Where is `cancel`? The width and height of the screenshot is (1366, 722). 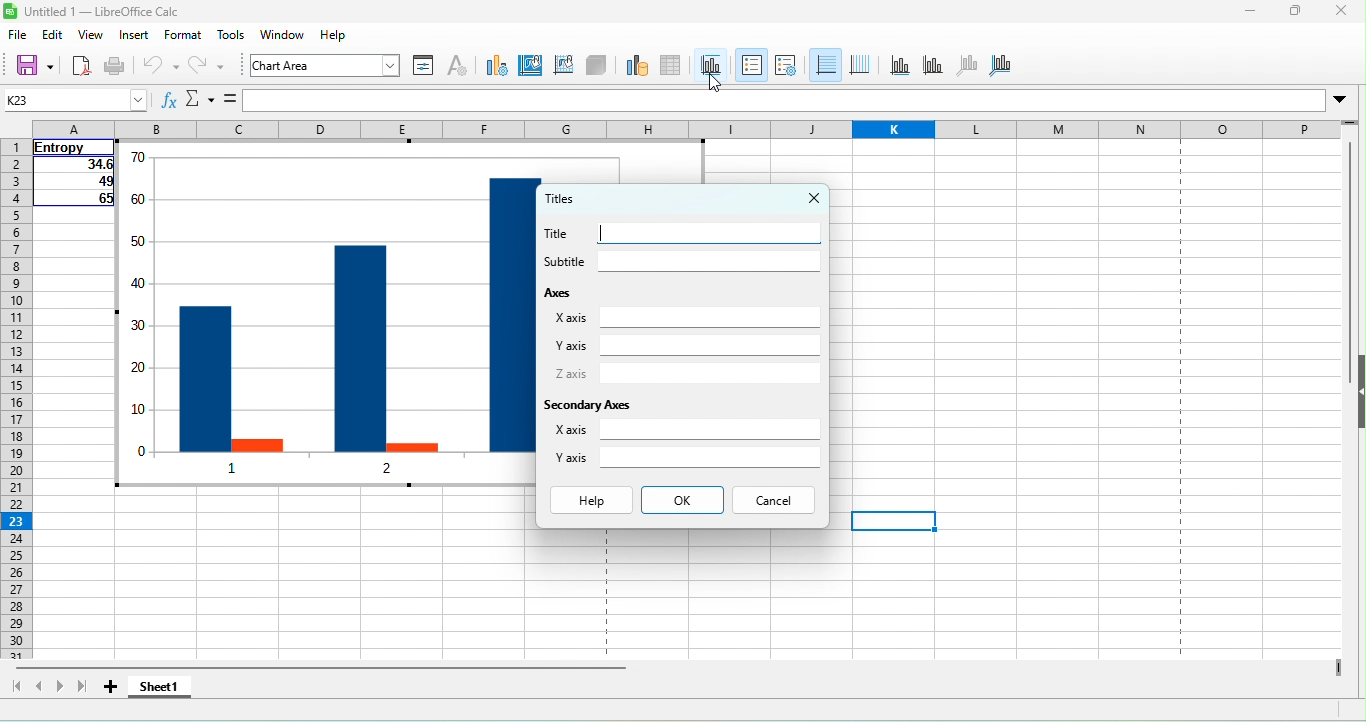
cancel is located at coordinates (776, 501).